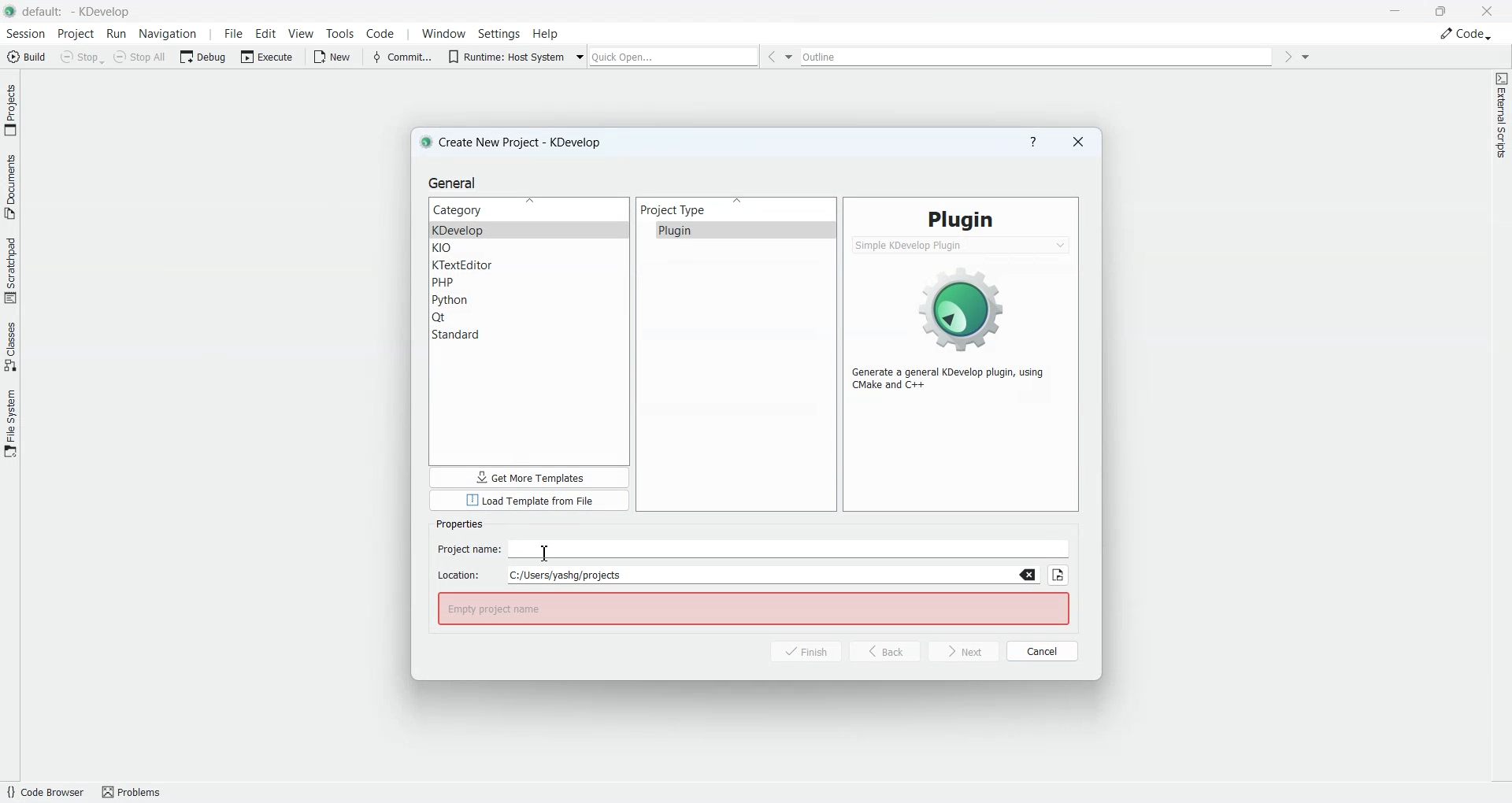 The image size is (1512, 803). I want to click on Code, so click(1466, 33).